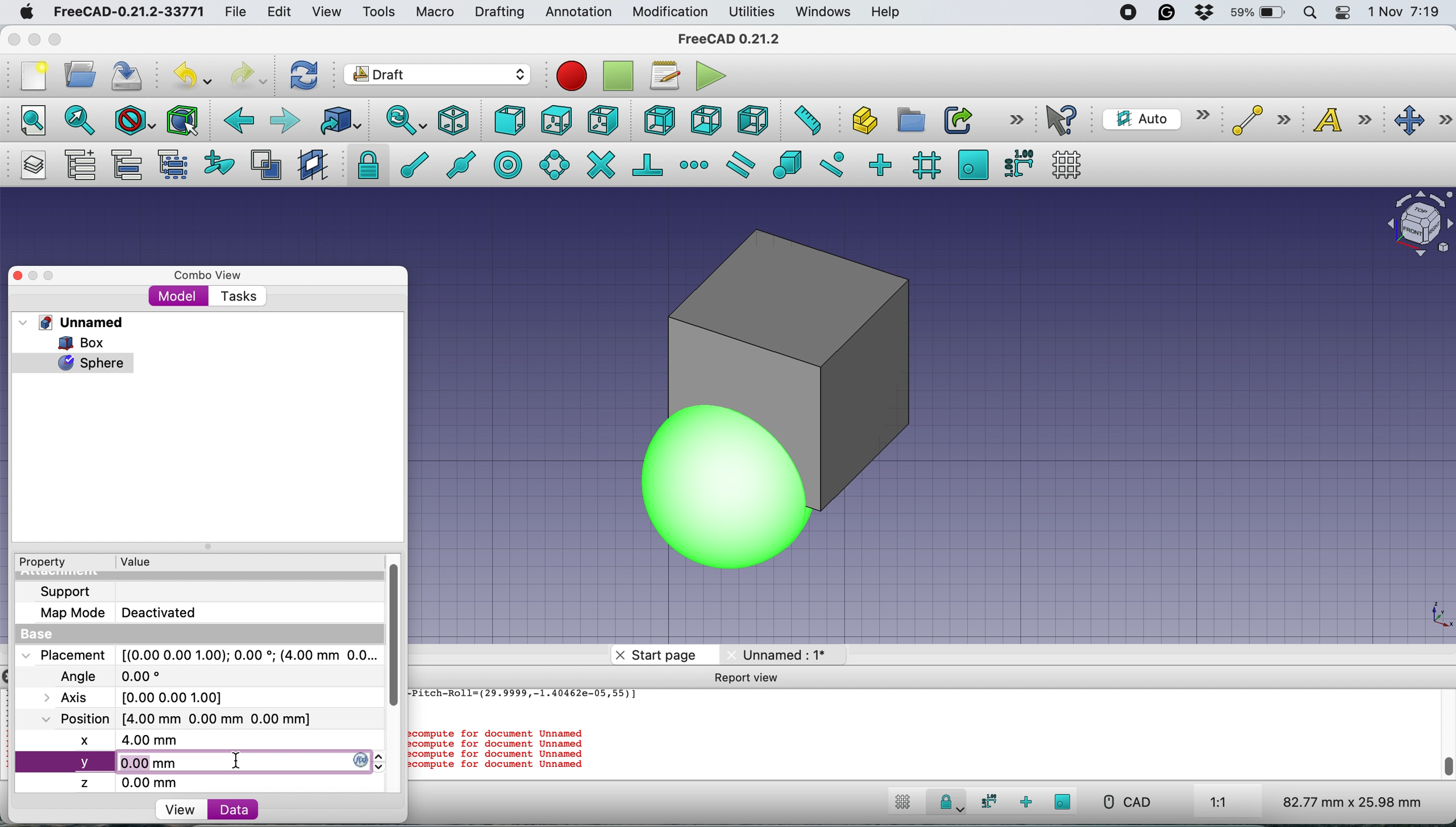 Image resolution: width=1456 pixels, height=827 pixels. Describe the element at coordinates (30, 165) in the screenshot. I see `manage layers` at that location.